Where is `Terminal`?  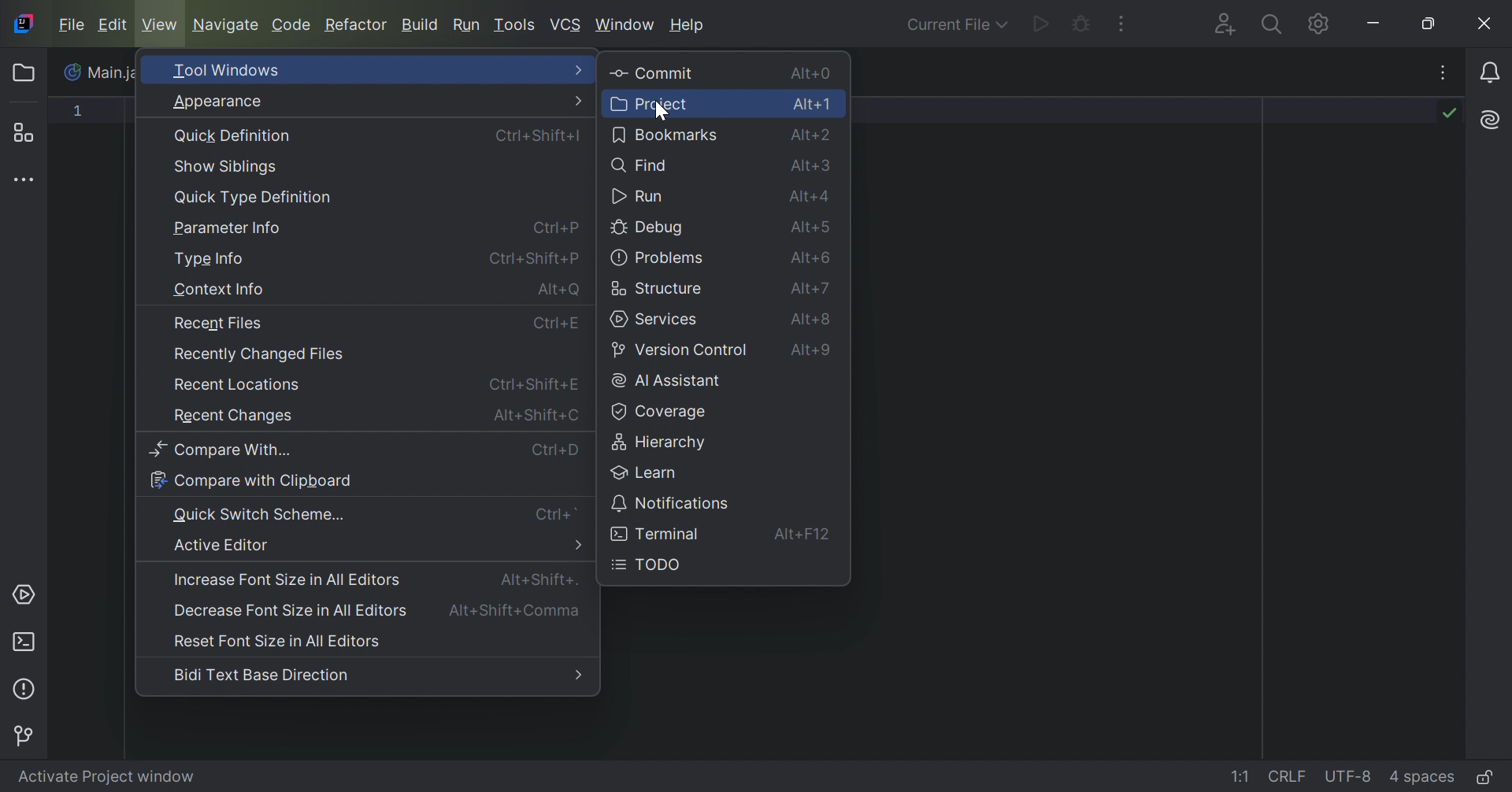 Terminal is located at coordinates (657, 535).